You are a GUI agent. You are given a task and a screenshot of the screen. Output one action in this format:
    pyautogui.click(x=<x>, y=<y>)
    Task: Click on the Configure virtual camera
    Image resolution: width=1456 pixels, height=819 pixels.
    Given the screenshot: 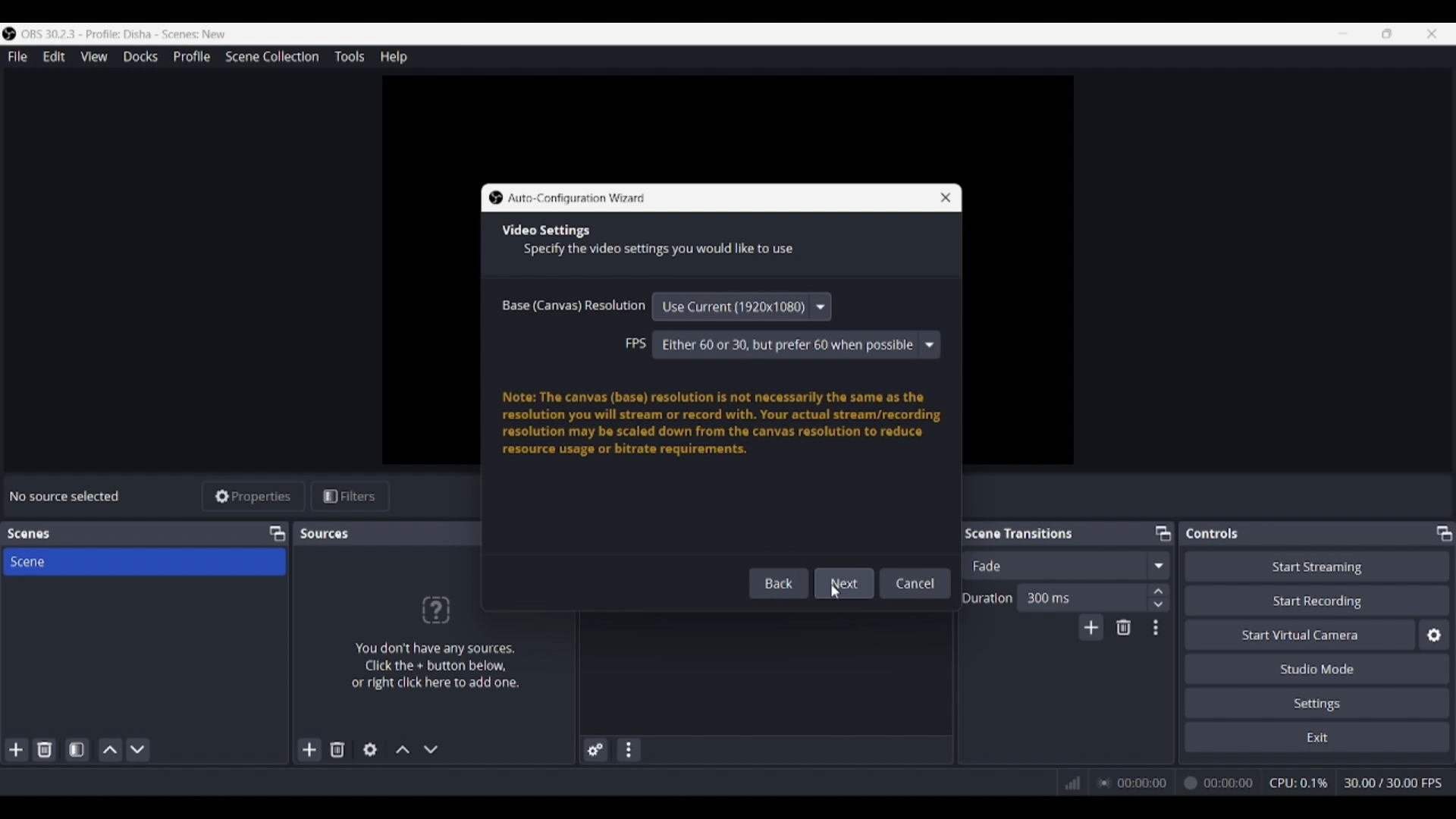 What is the action you would take?
    pyautogui.click(x=1434, y=635)
    